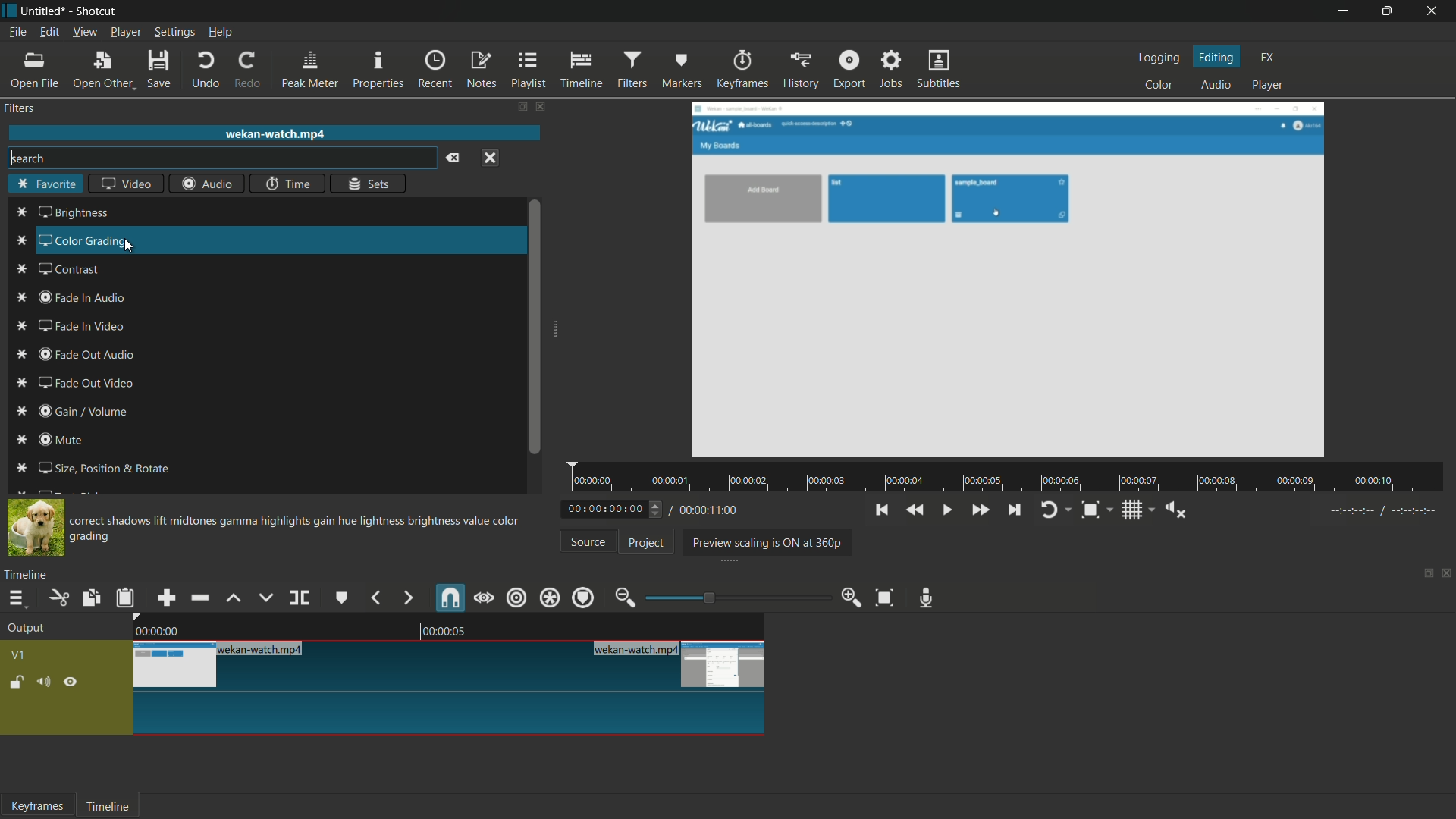  What do you see at coordinates (46, 184) in the screenshot?
I see `favorite` at bounding box center [46, 184].